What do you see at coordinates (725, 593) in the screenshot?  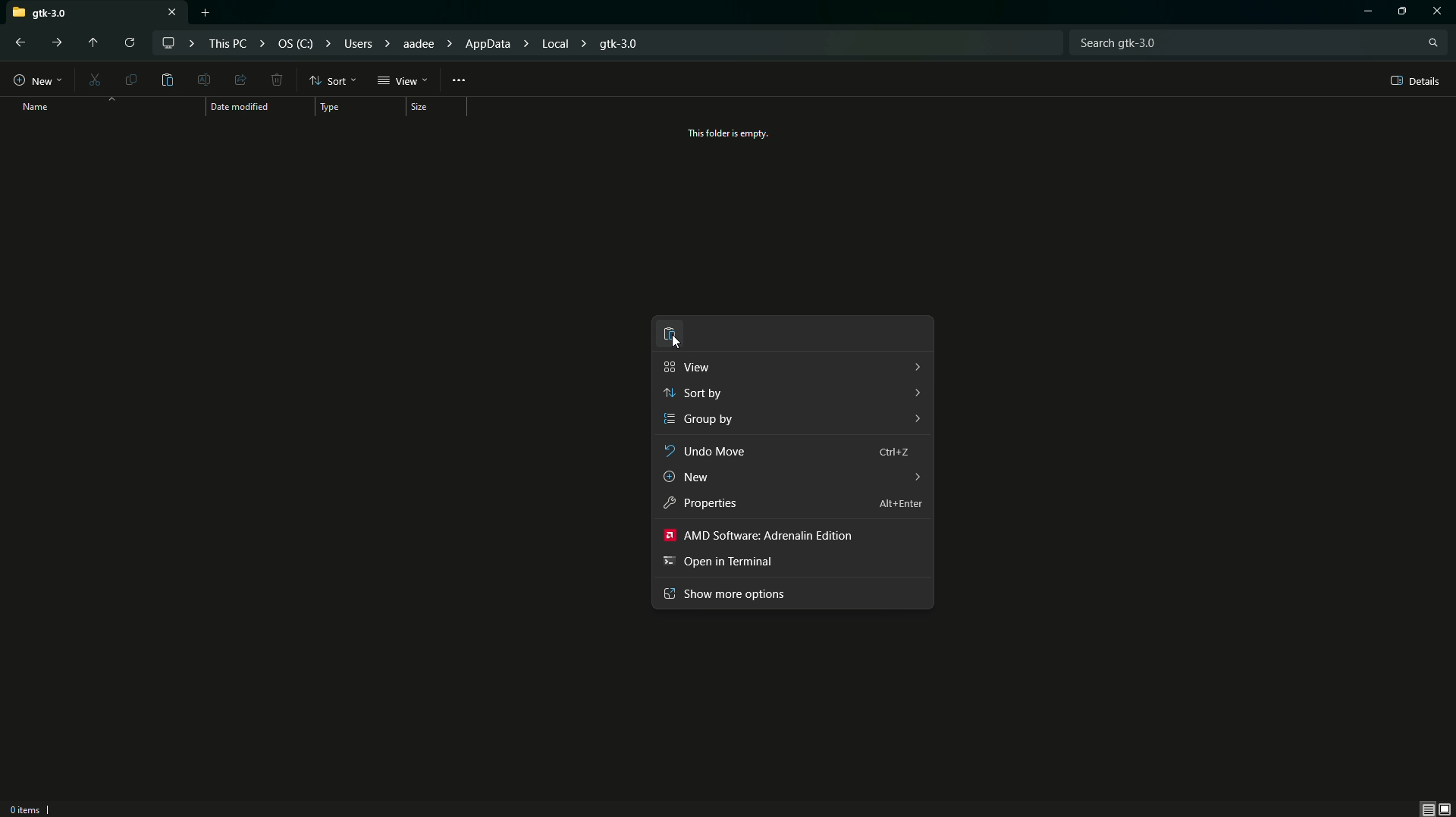 I see `Show more options` at bounding box center [725, 593].